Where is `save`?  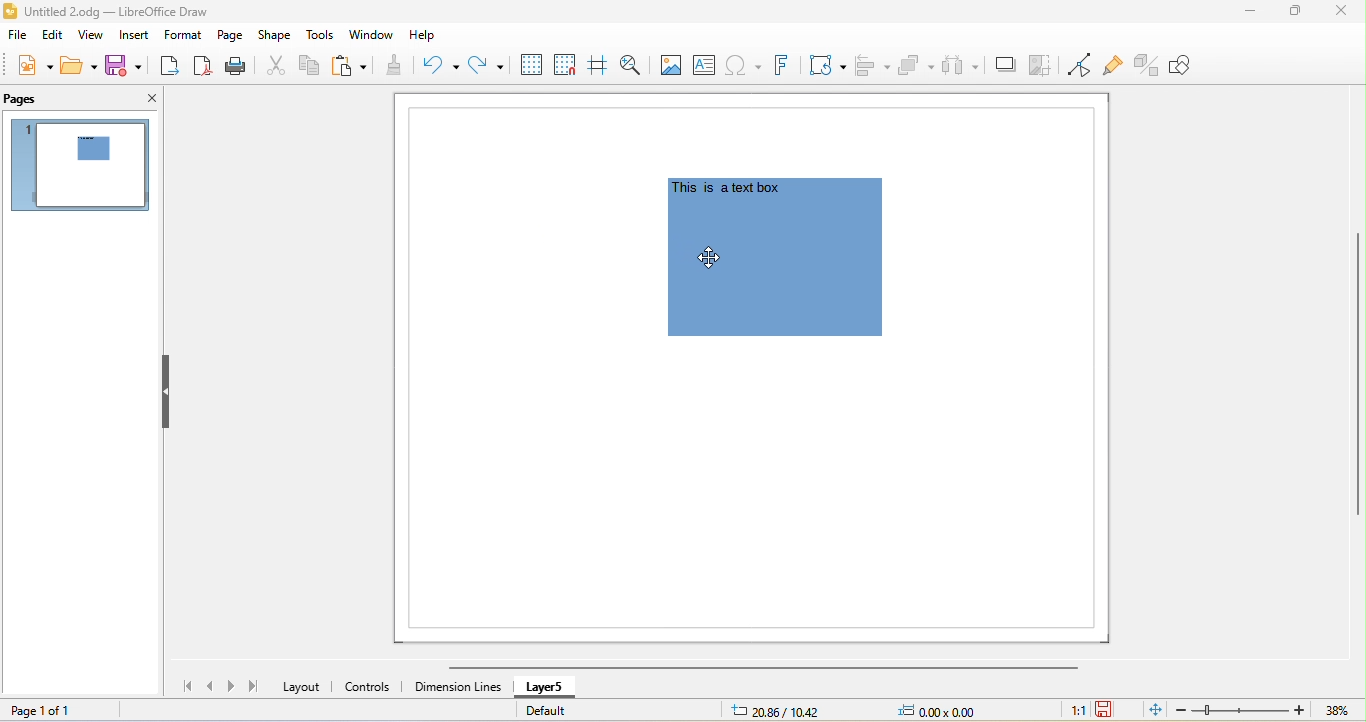
save is located at coordinates (127, 65).